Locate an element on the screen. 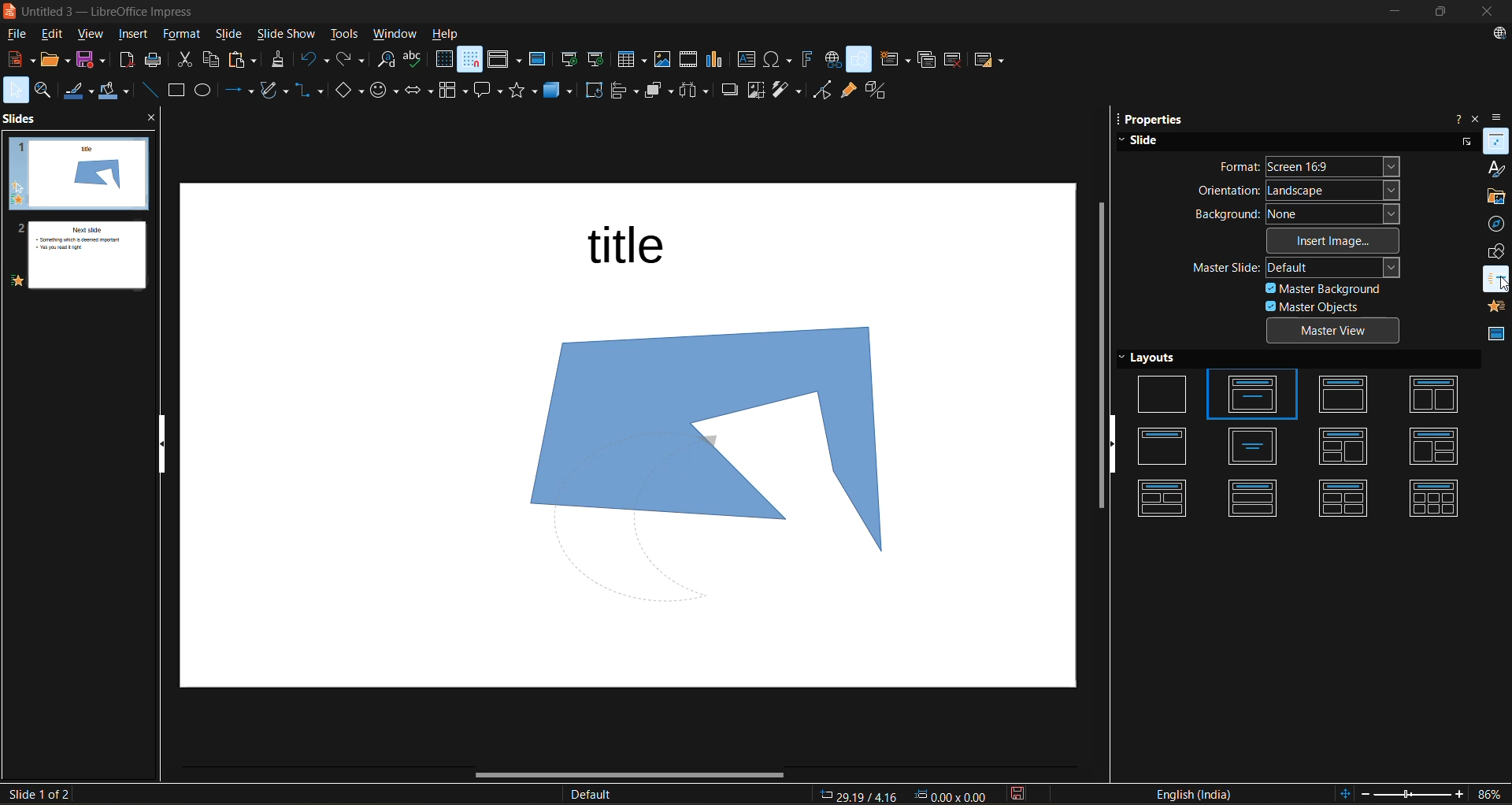  zoom factor is located at coordinates (1488, 793).